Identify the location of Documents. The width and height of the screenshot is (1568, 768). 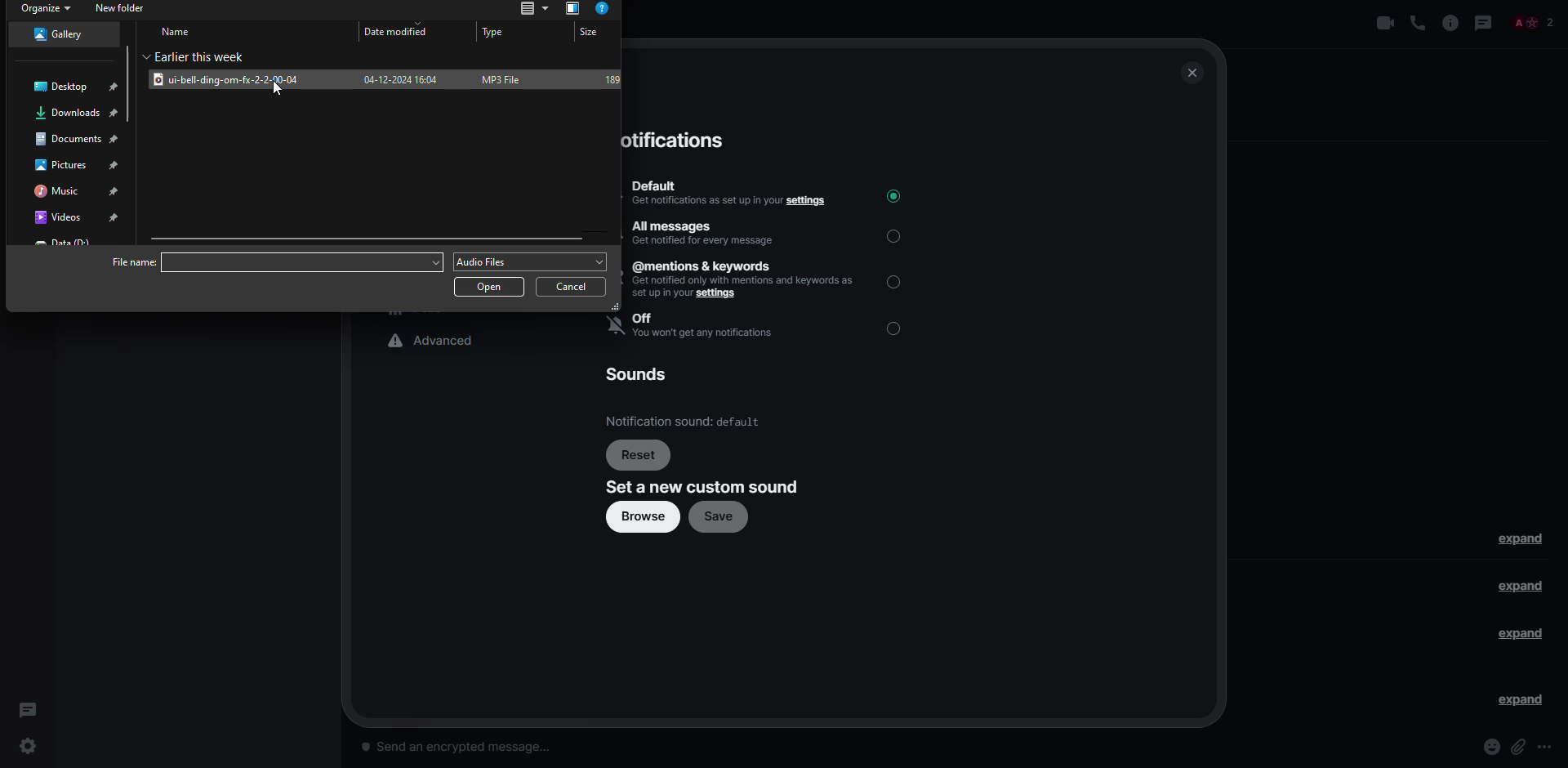
(78, 135).